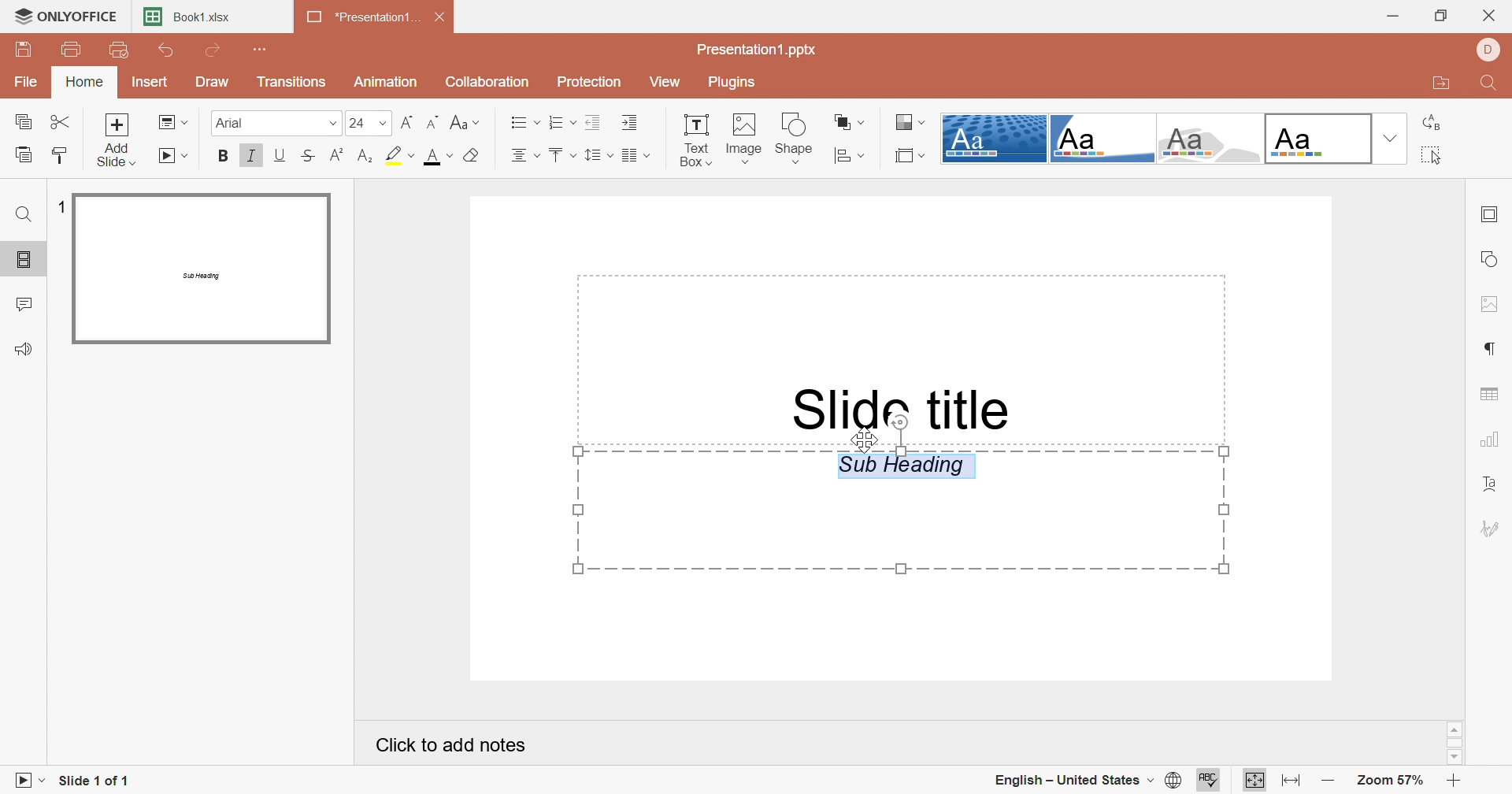 This screenshot has height=794, width=1512. I want to click on Font color, so click(435, 156).